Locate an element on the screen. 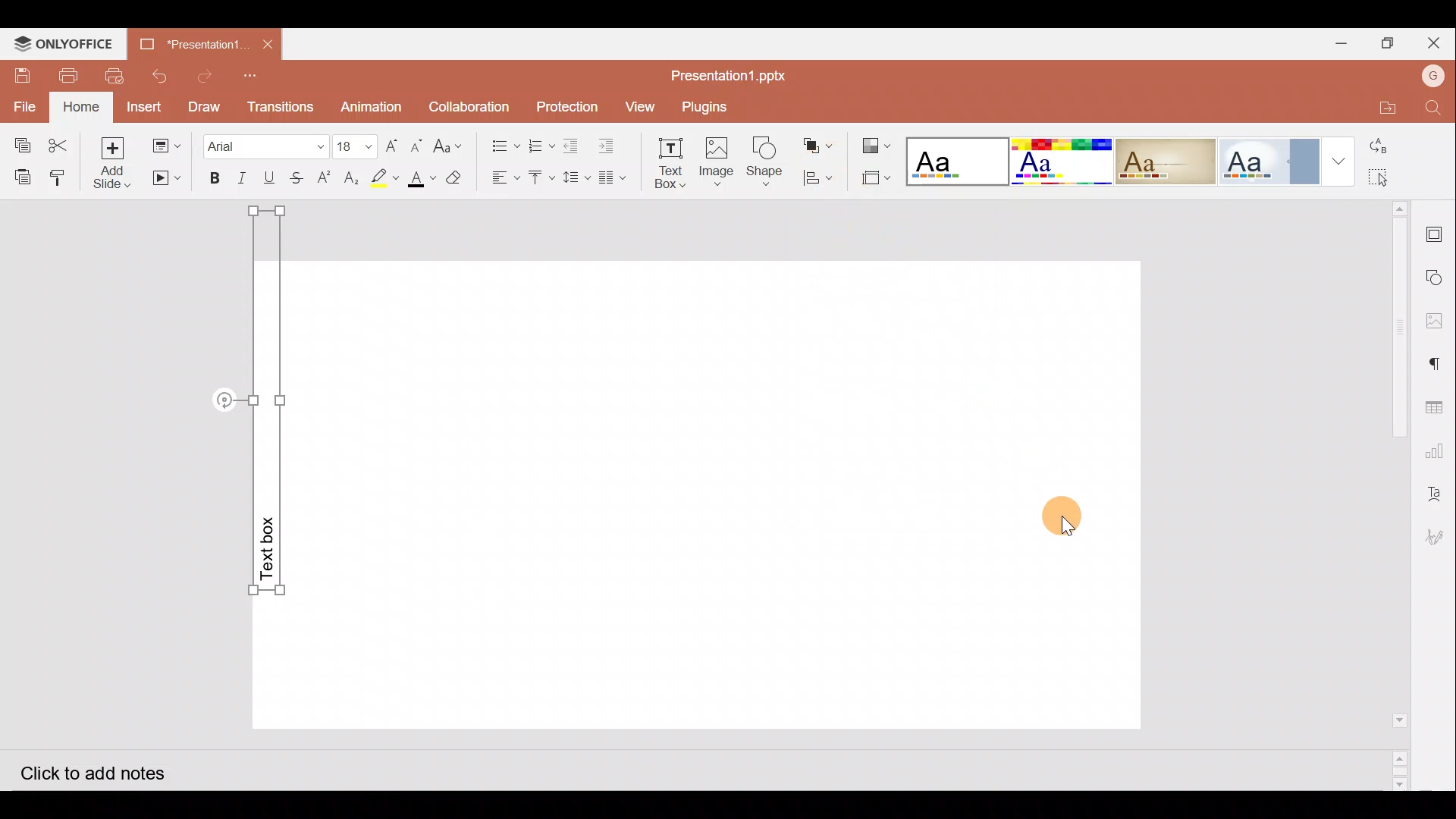 The image size is (1456, 819). Vertical align is located at coordinates (541, 180).